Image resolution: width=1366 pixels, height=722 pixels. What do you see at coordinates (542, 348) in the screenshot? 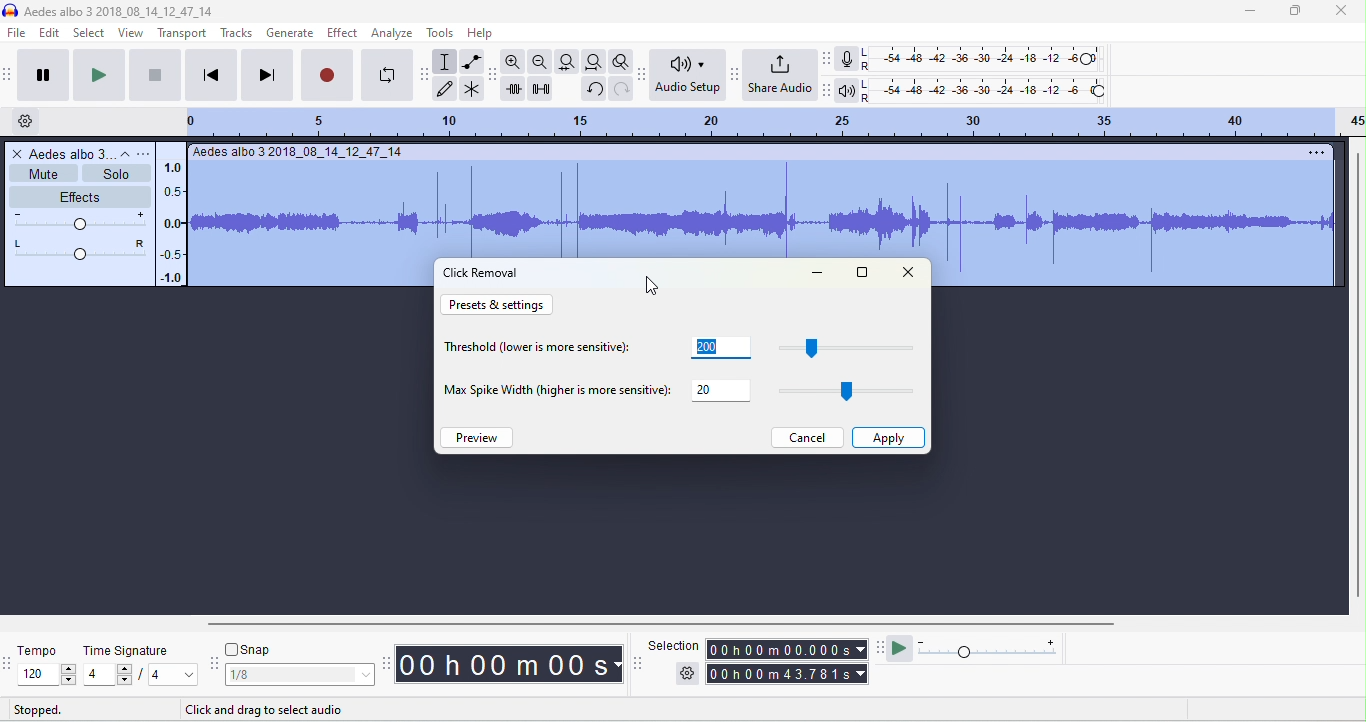
I see `threshold ` at bounding box center [542, 348].